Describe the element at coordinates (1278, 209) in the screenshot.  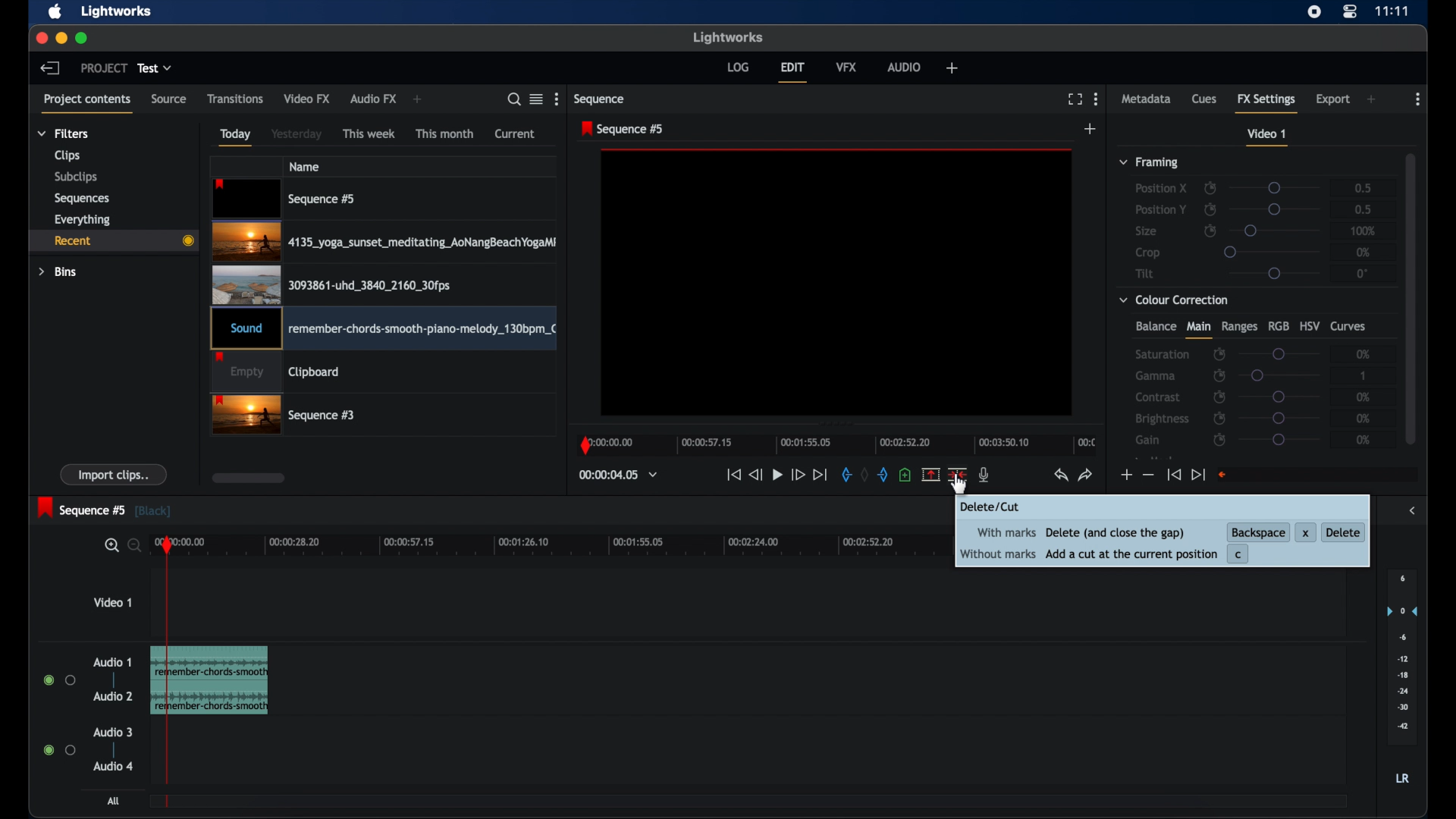
I see `slider` at that location.